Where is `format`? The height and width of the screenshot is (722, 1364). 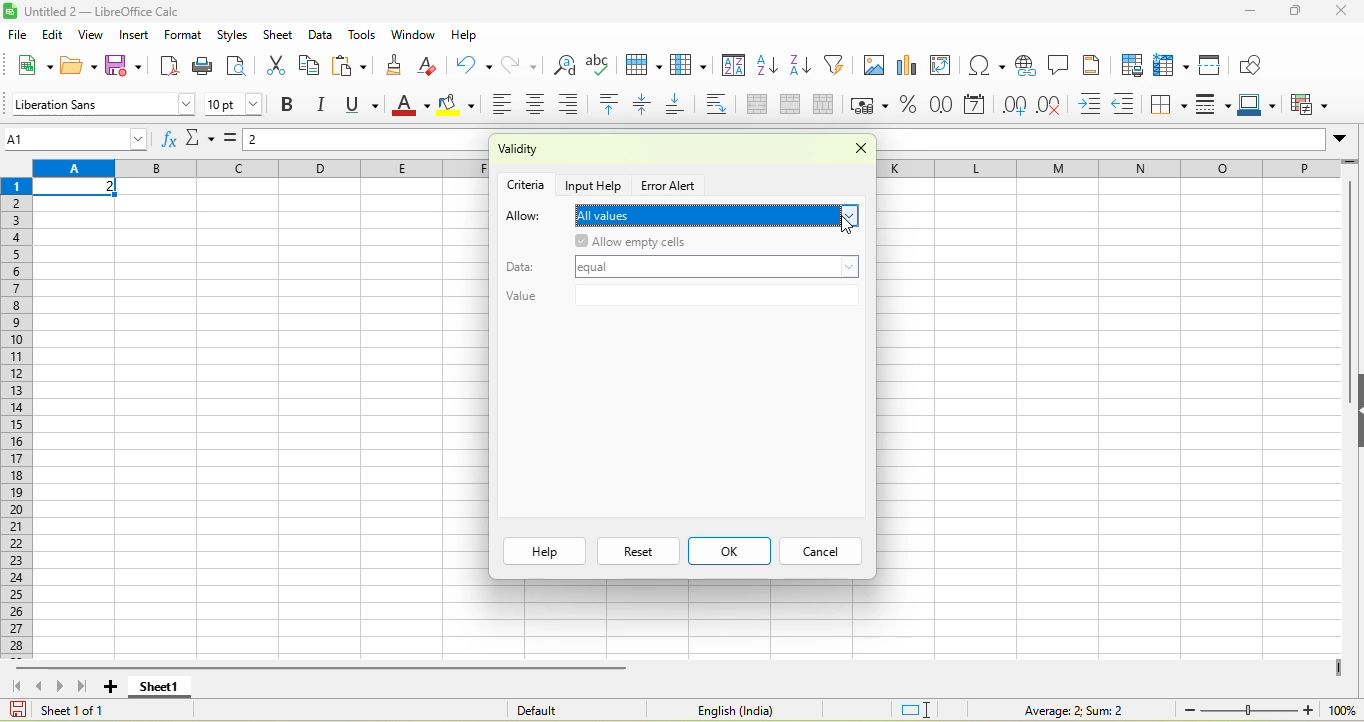
format is located at coordinates (186, 34).